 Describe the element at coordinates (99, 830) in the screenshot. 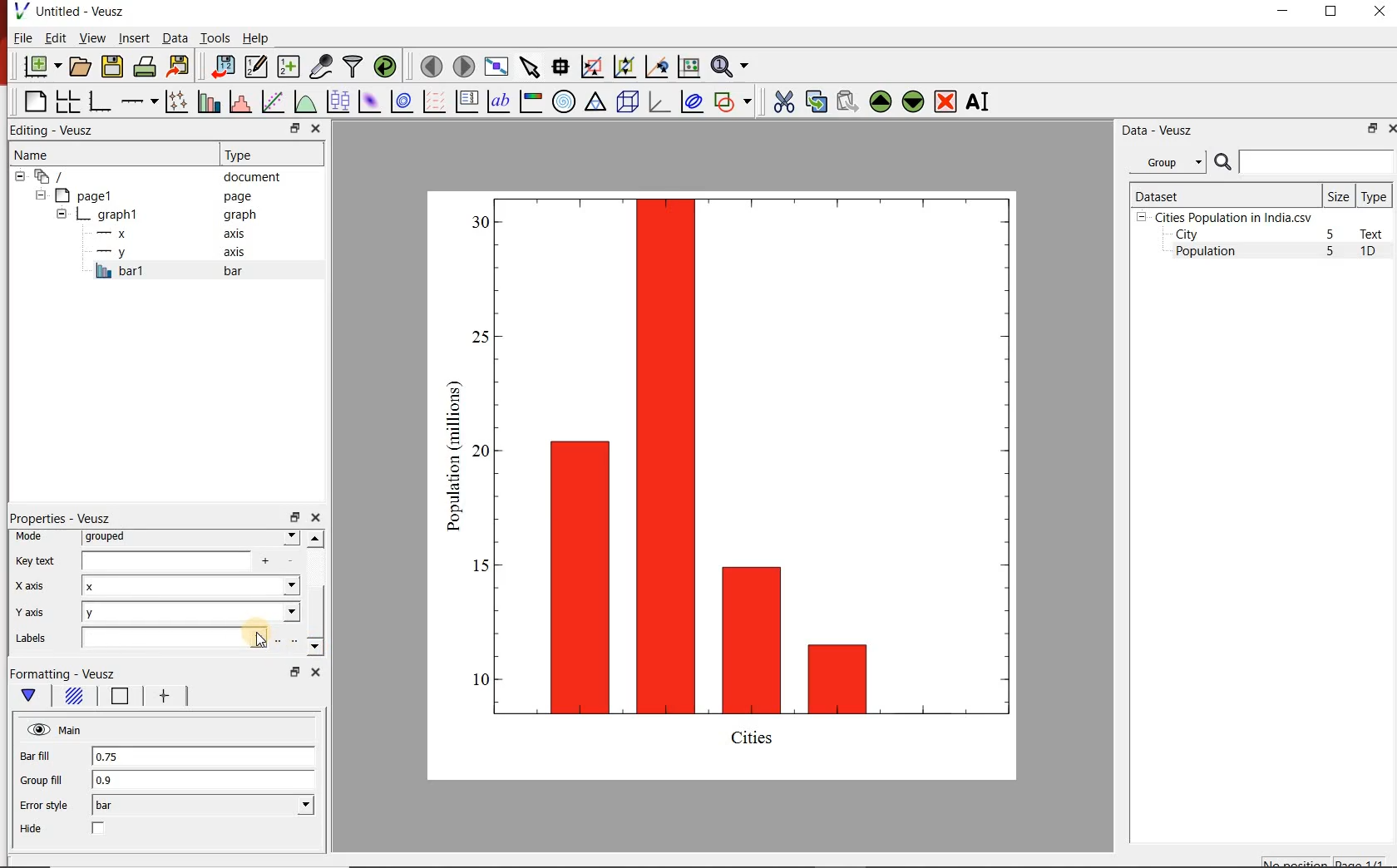

I see `check/uncheck` at that location.